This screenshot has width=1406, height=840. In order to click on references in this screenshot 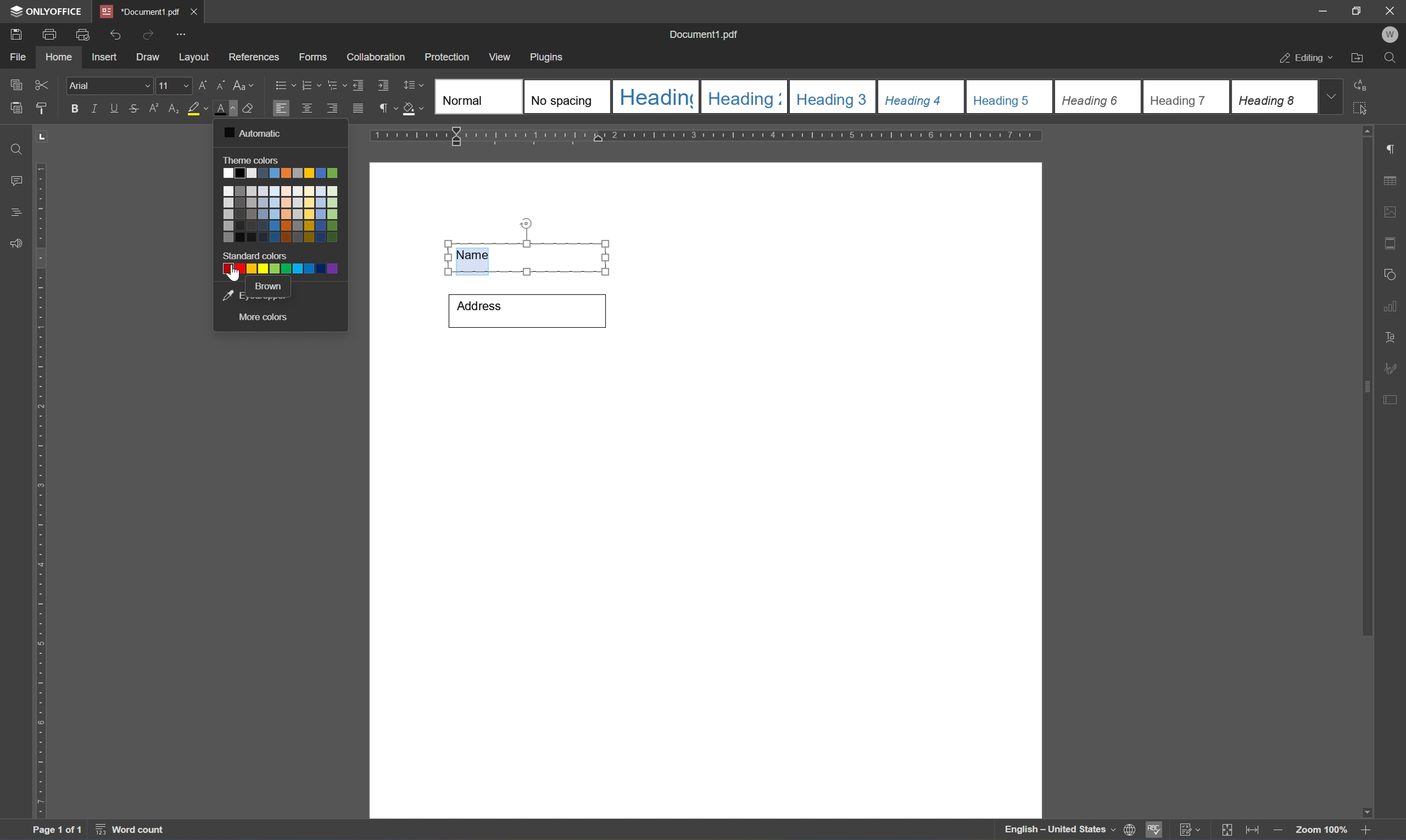, I will do `click(253, 57)`.